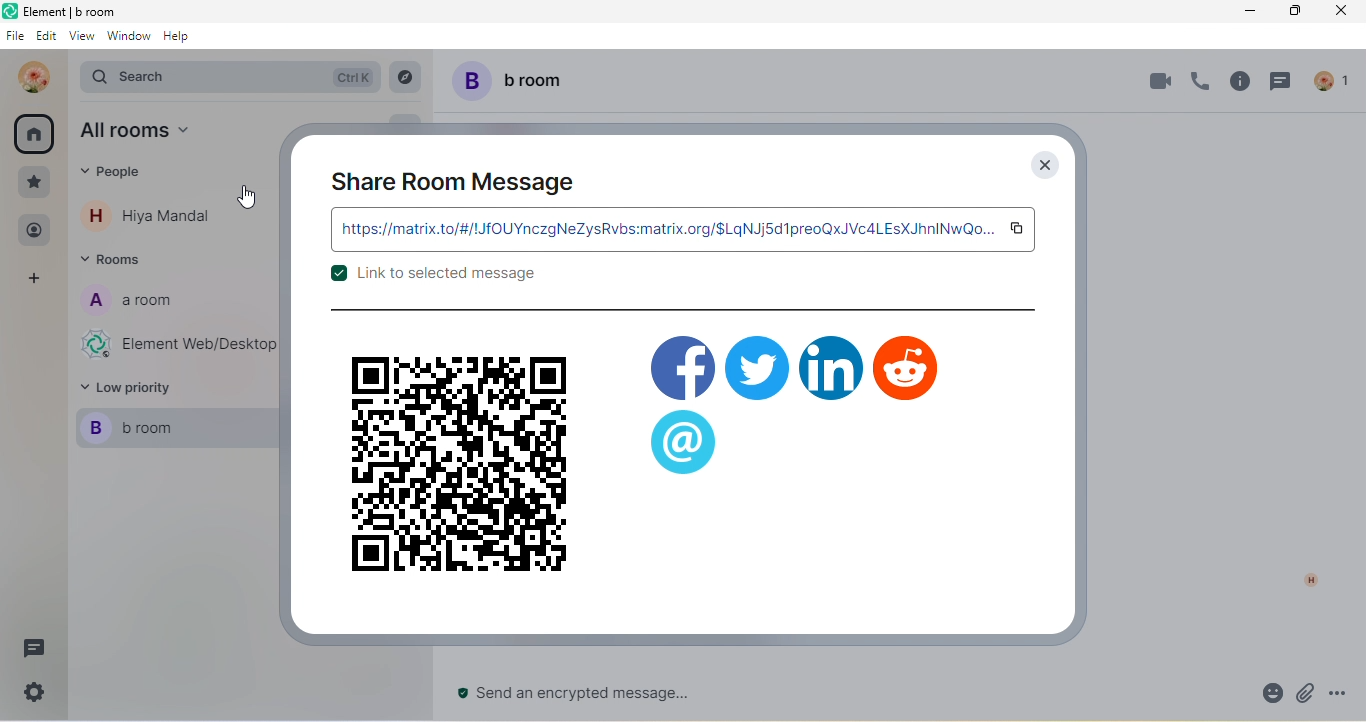 The height and width of the screenshot is (722, 1366). I want to click on qr code, so click(458, 464).